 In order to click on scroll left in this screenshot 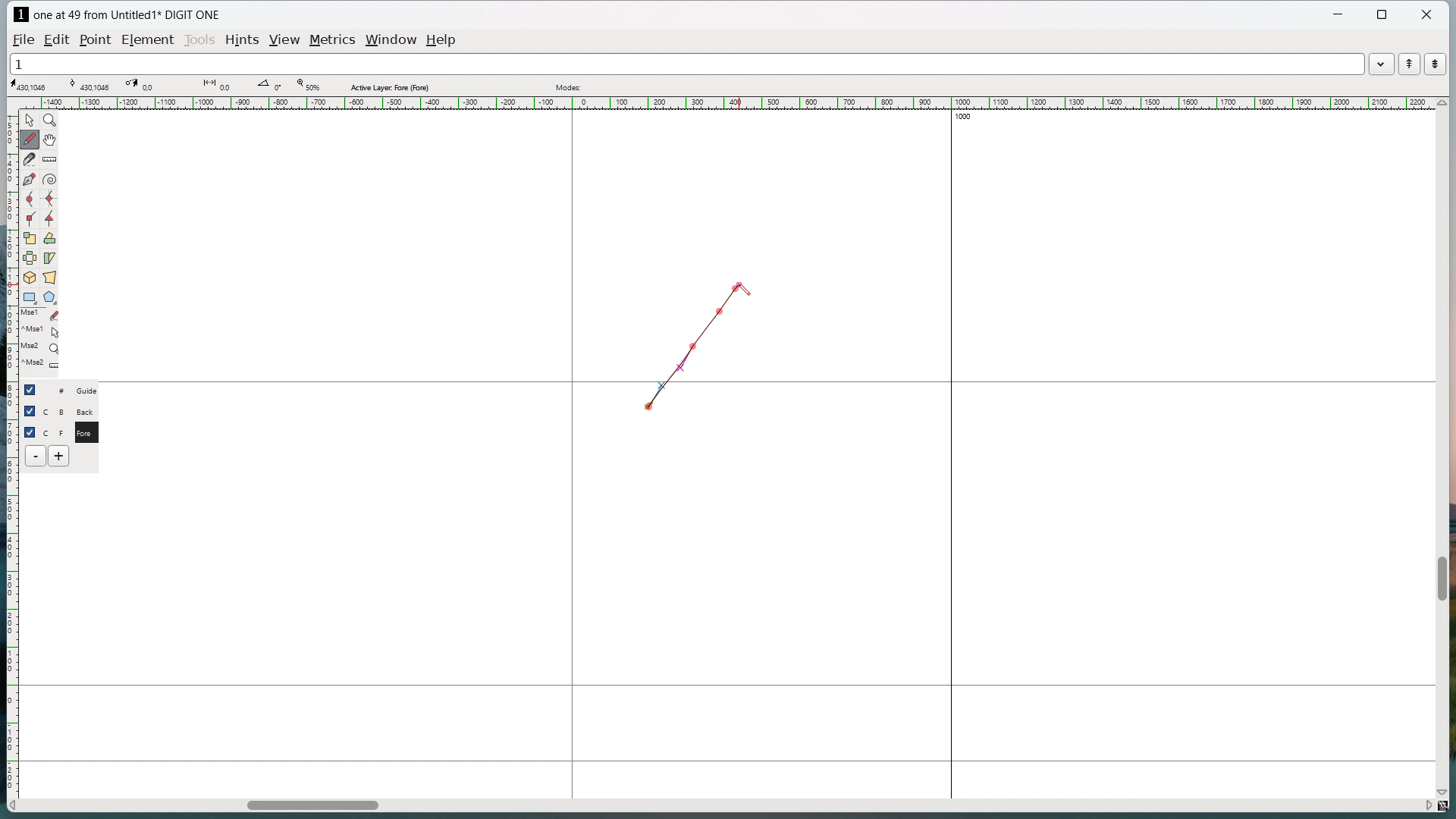, I will do `click(14, 806)`.